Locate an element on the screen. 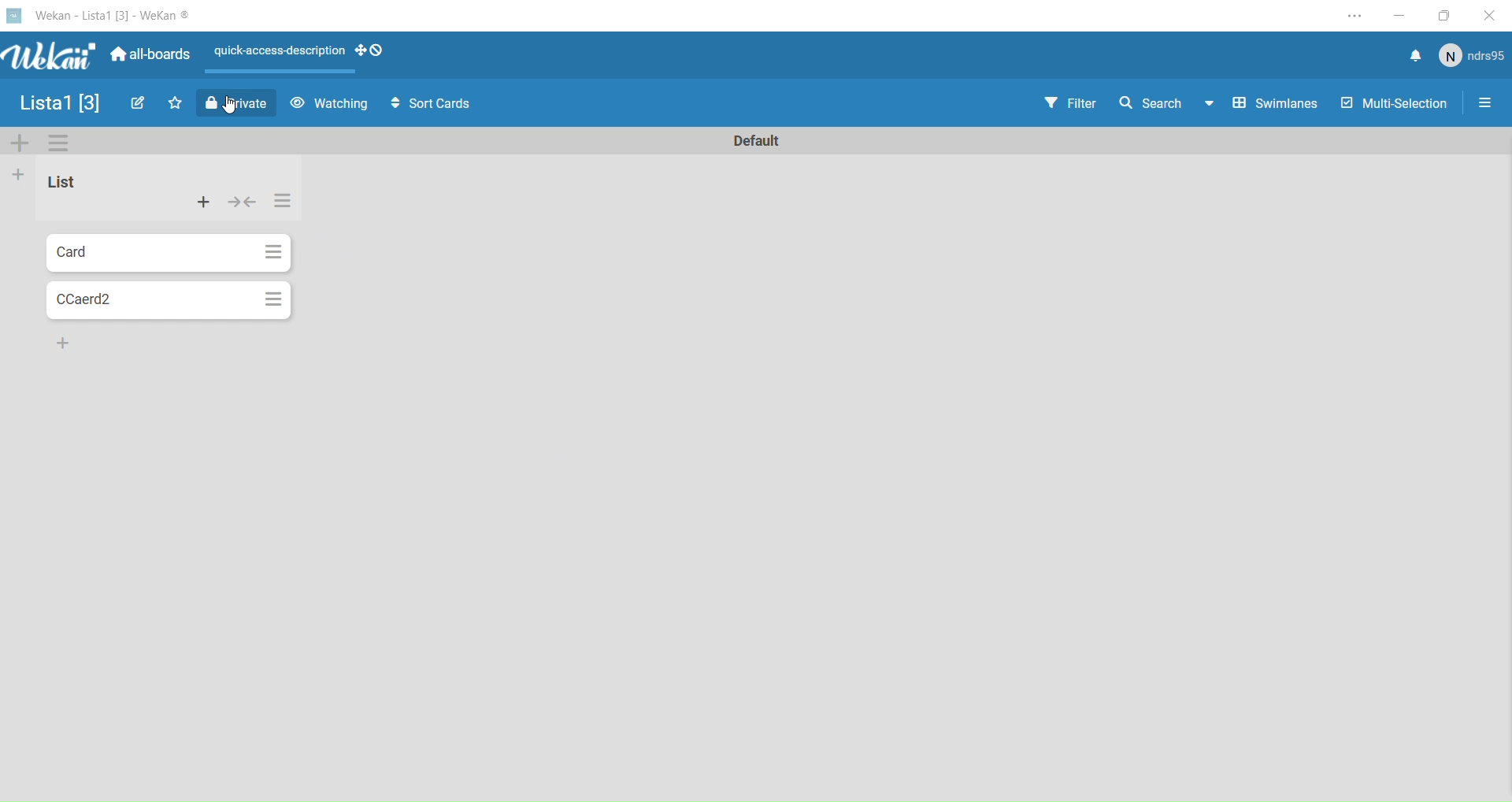 This screenshot has height=802, width=1512. Multi Selection is located at coordinates (1392, 106).